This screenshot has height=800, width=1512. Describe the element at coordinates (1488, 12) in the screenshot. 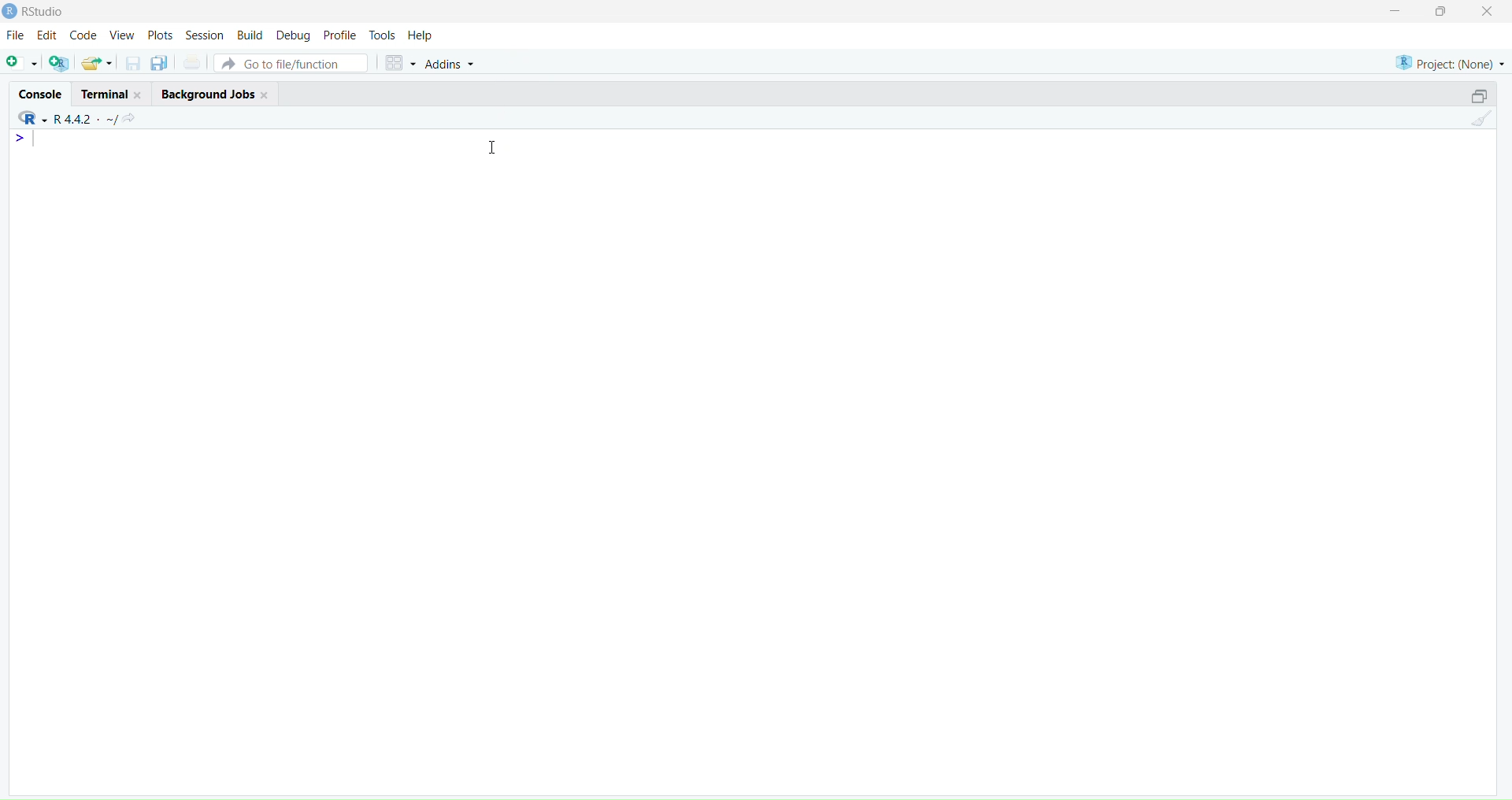

I see `close` at that location.